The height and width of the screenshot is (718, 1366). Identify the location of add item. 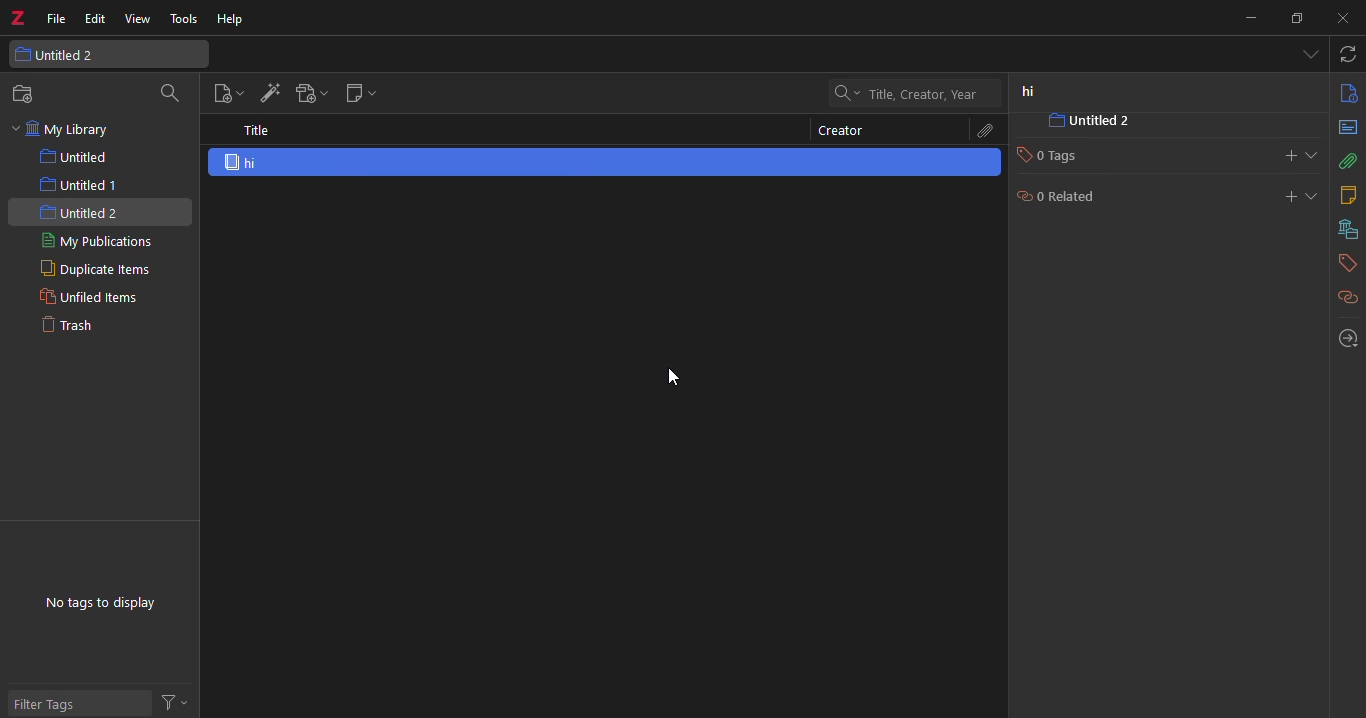
(268, 94).